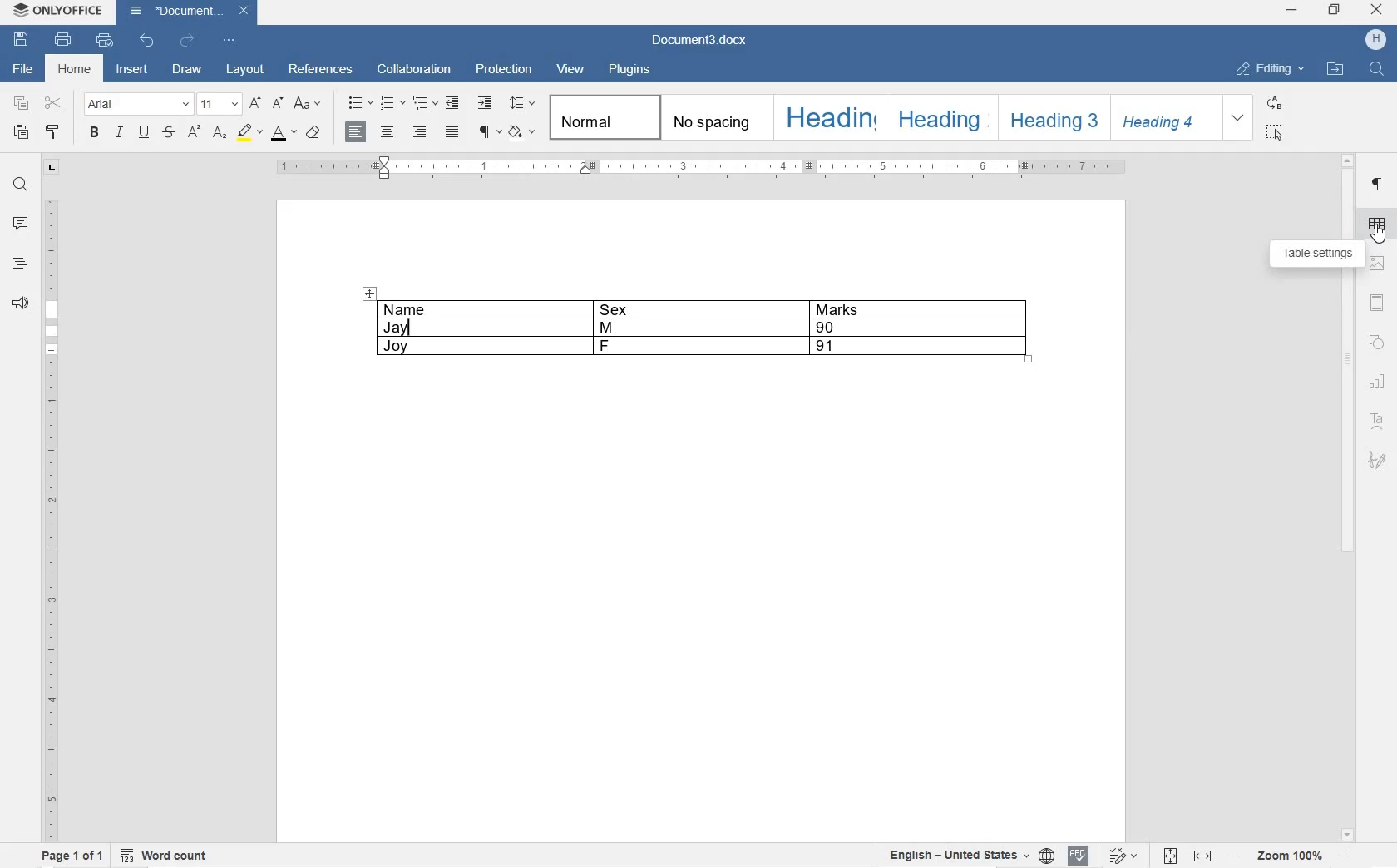  Describe the element at coordinates (489, 134) in the screenshot. I see `NONPRINTING CHARACTERS` at that location.